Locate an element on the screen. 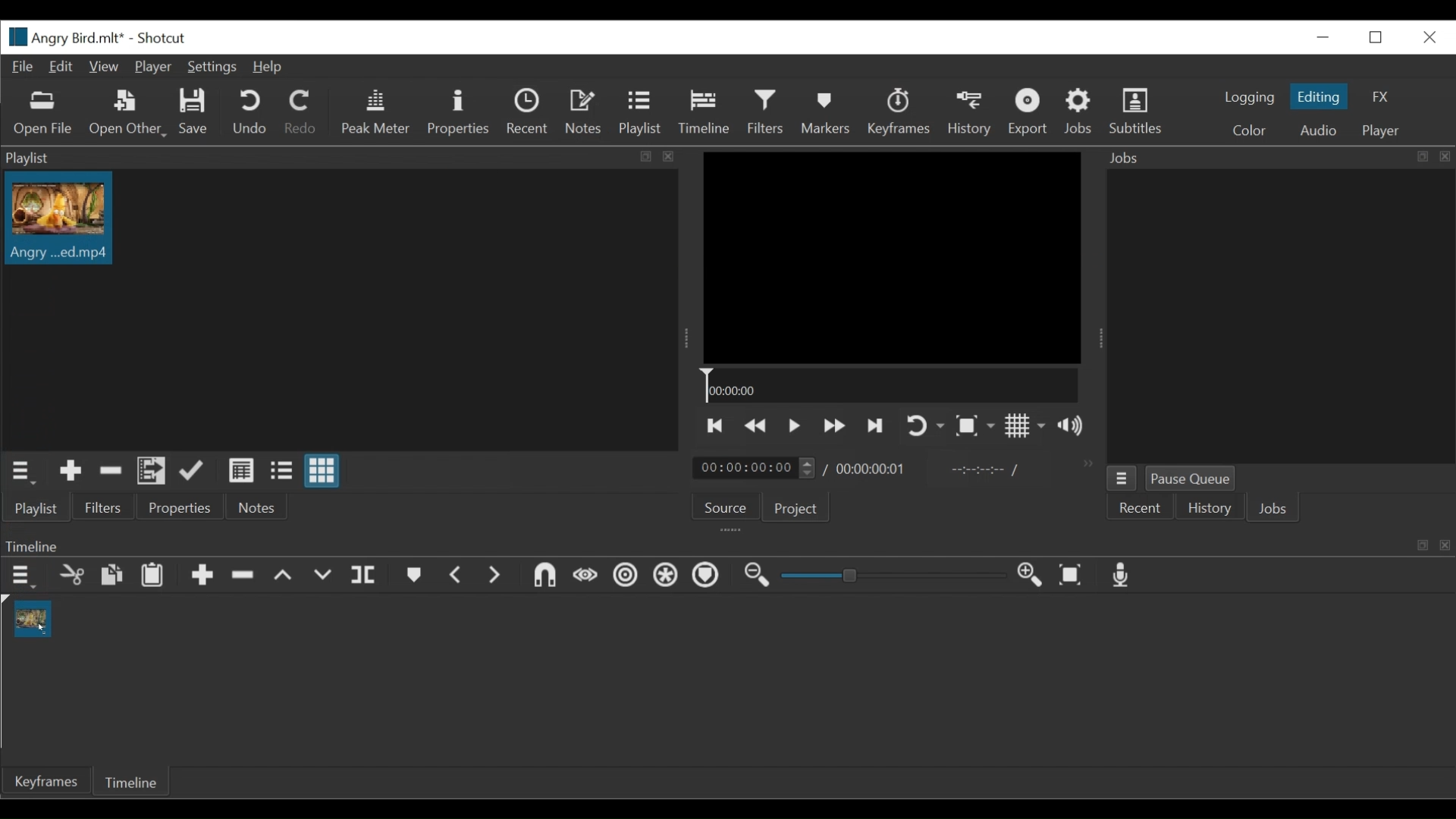 Image resolution: width=1456 pixels, height=819 pixels. Zoom timeline to fit is located at coordinates (1072, 576).